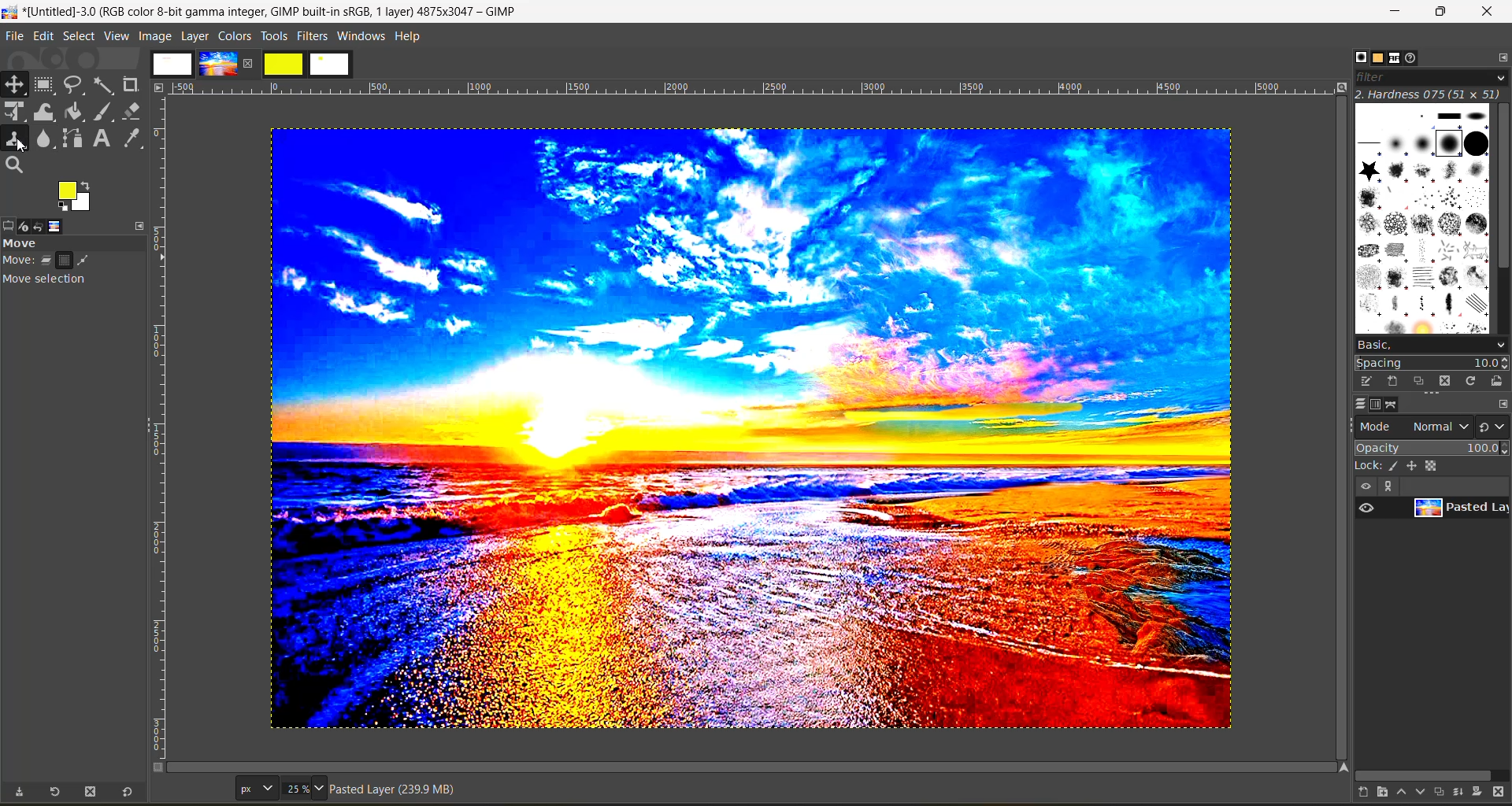 The height and width of the screenshot is (806, 1512). Describe the element at coordinates (135, 138) in the screenshot. I see `color picker tool` at that location.